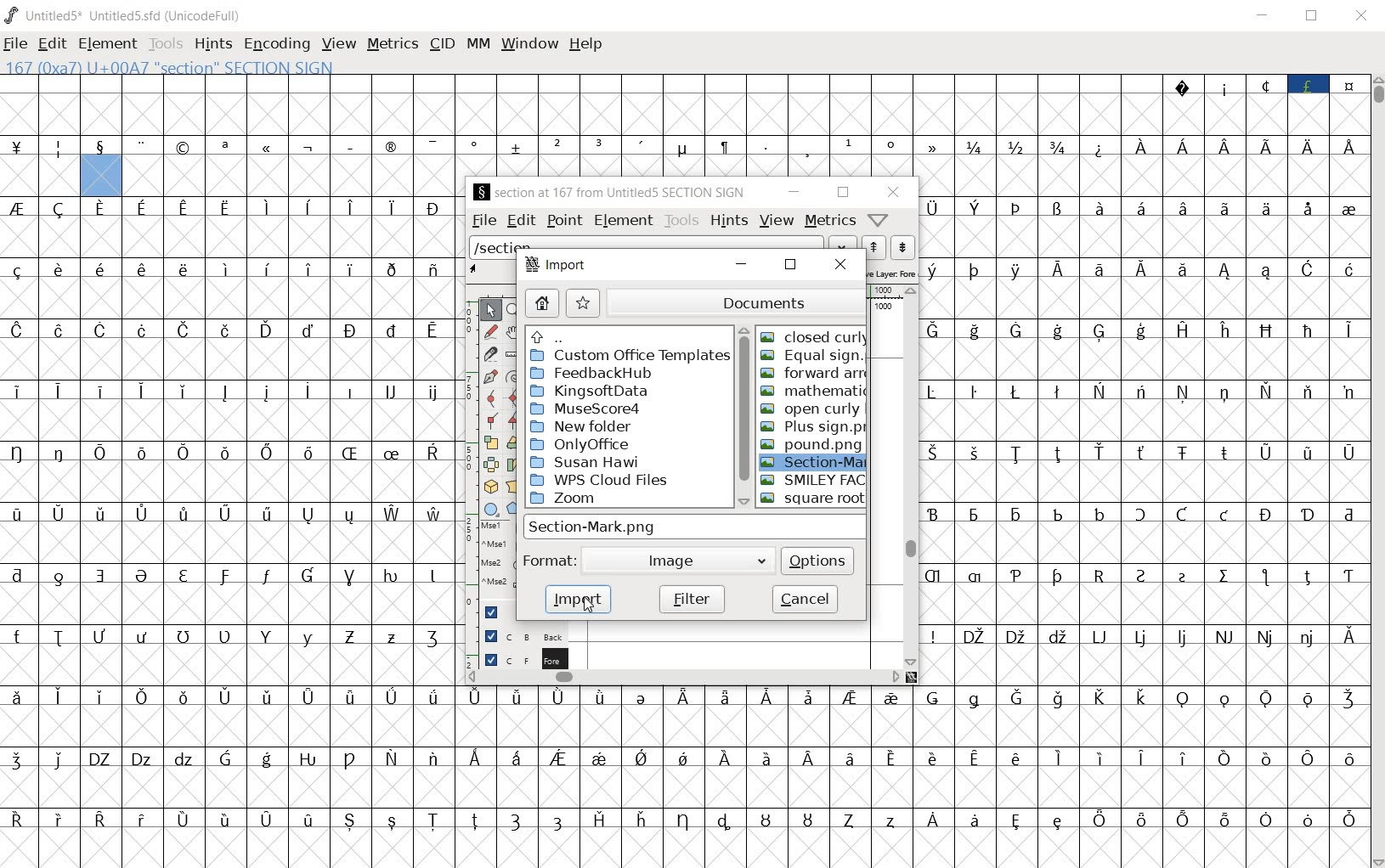  What do you see at coordinates (231, 573) in the screenshot?
I see `special letters` at bounding box center [231, 573].